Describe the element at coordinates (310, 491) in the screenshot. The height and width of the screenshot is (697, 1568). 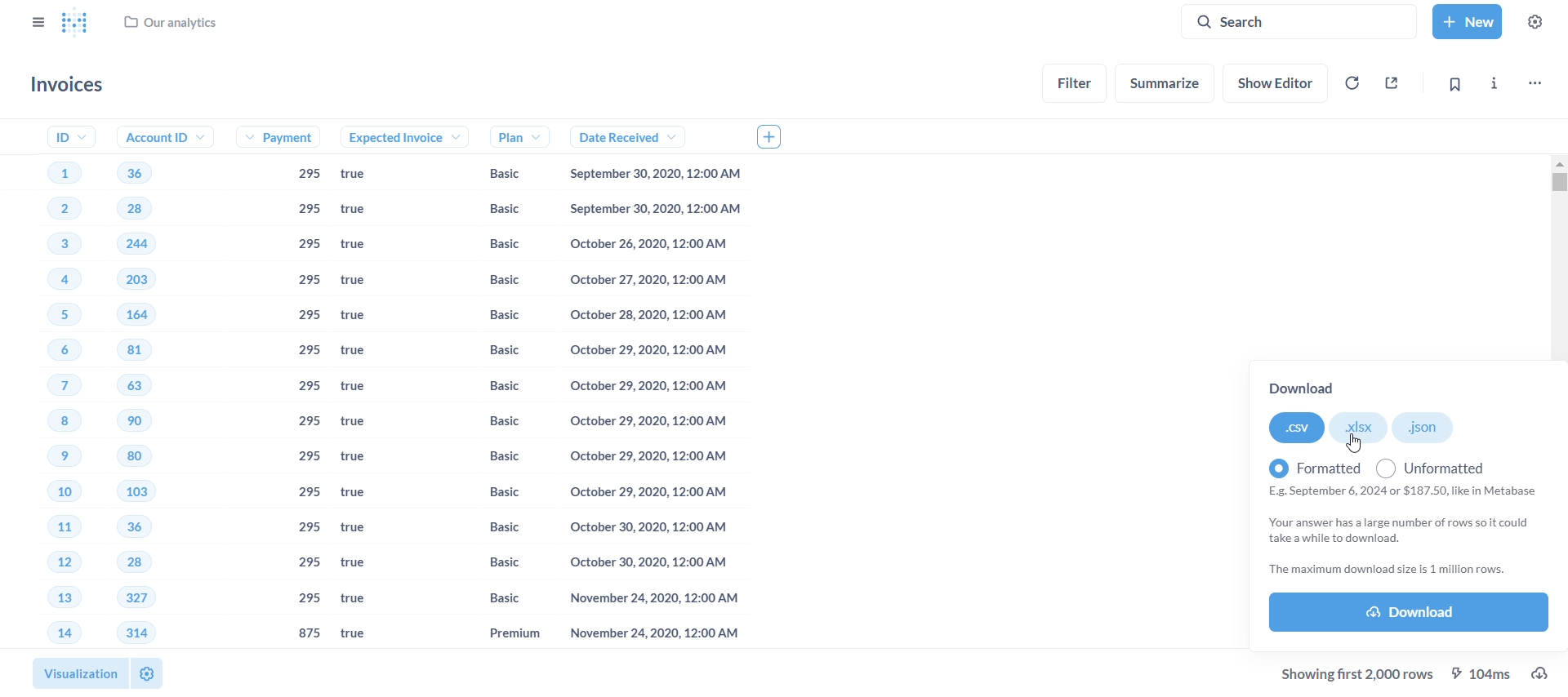
I see `295` at that location.